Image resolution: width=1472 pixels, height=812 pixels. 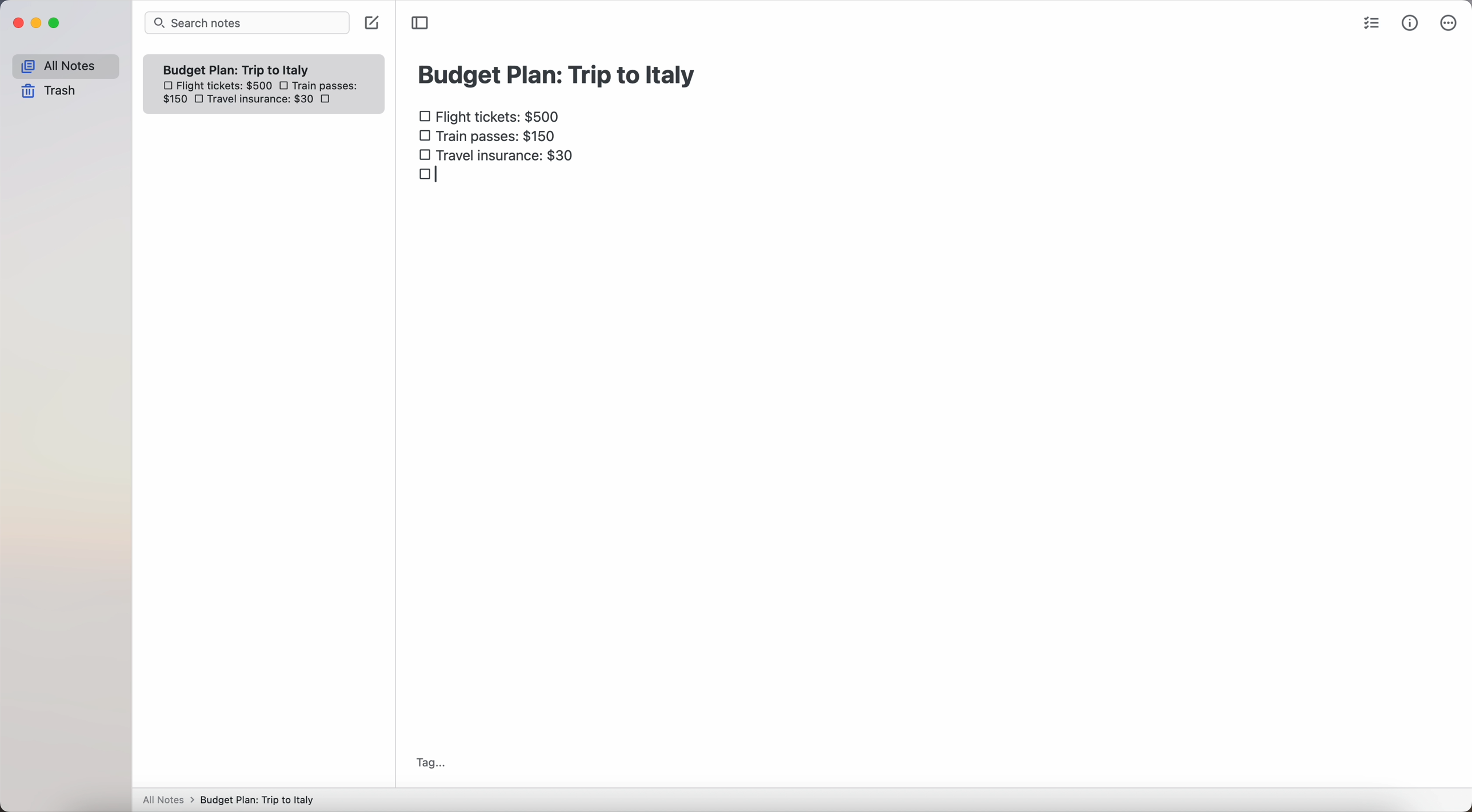 I want to click on train passes $150 checkbox, so click(x=489, y=139).